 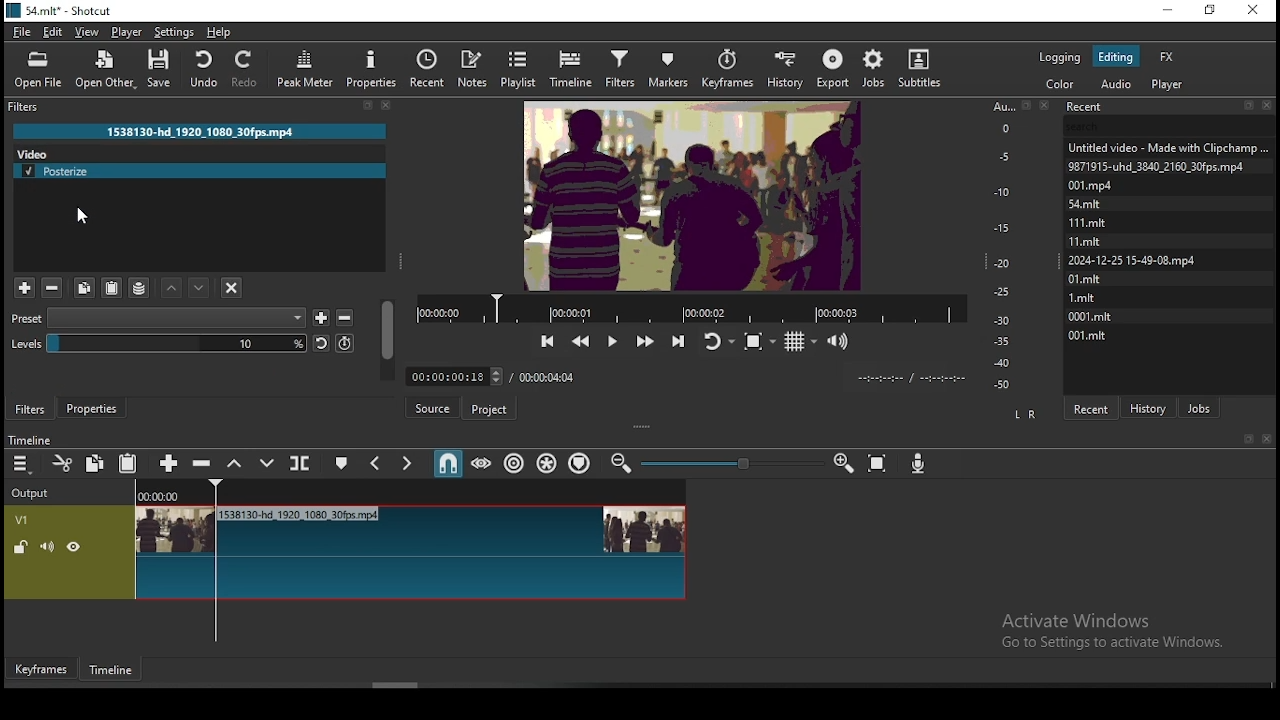 I want to click on toggle player looping, so click(x=717, y=339).